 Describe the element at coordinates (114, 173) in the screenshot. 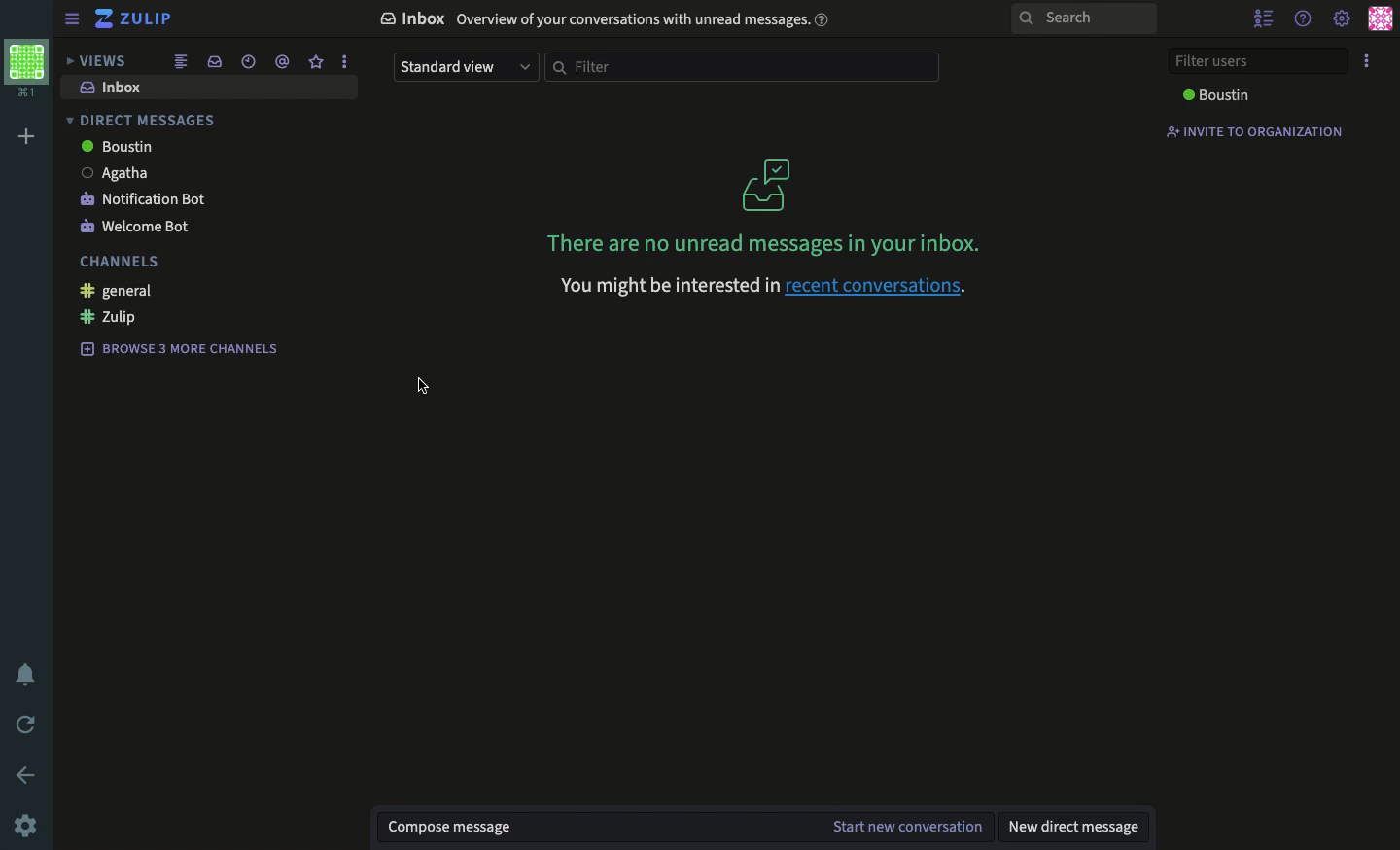

I see `Agatha` at that location.